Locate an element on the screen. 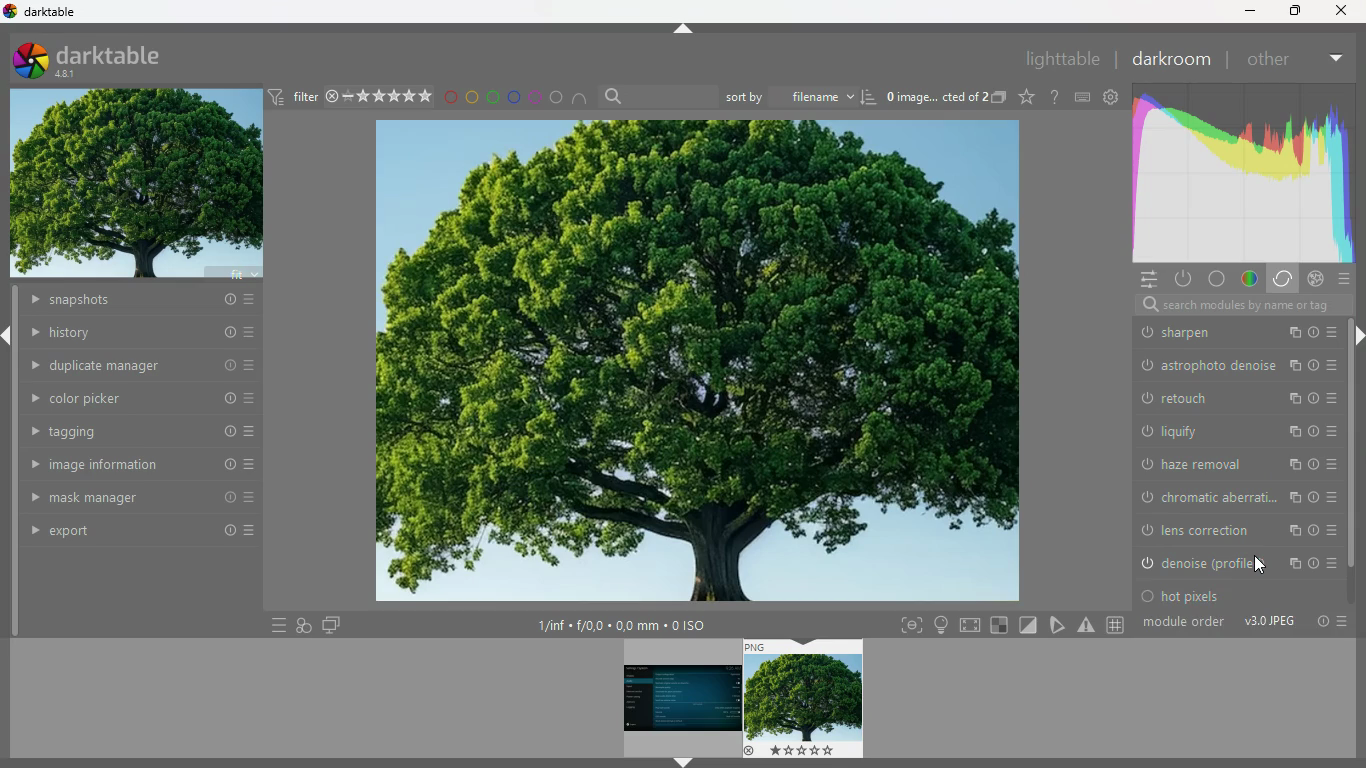 This screenshot has height=768, width=1366. color balance rgb is located at coordinates (1222, 529).